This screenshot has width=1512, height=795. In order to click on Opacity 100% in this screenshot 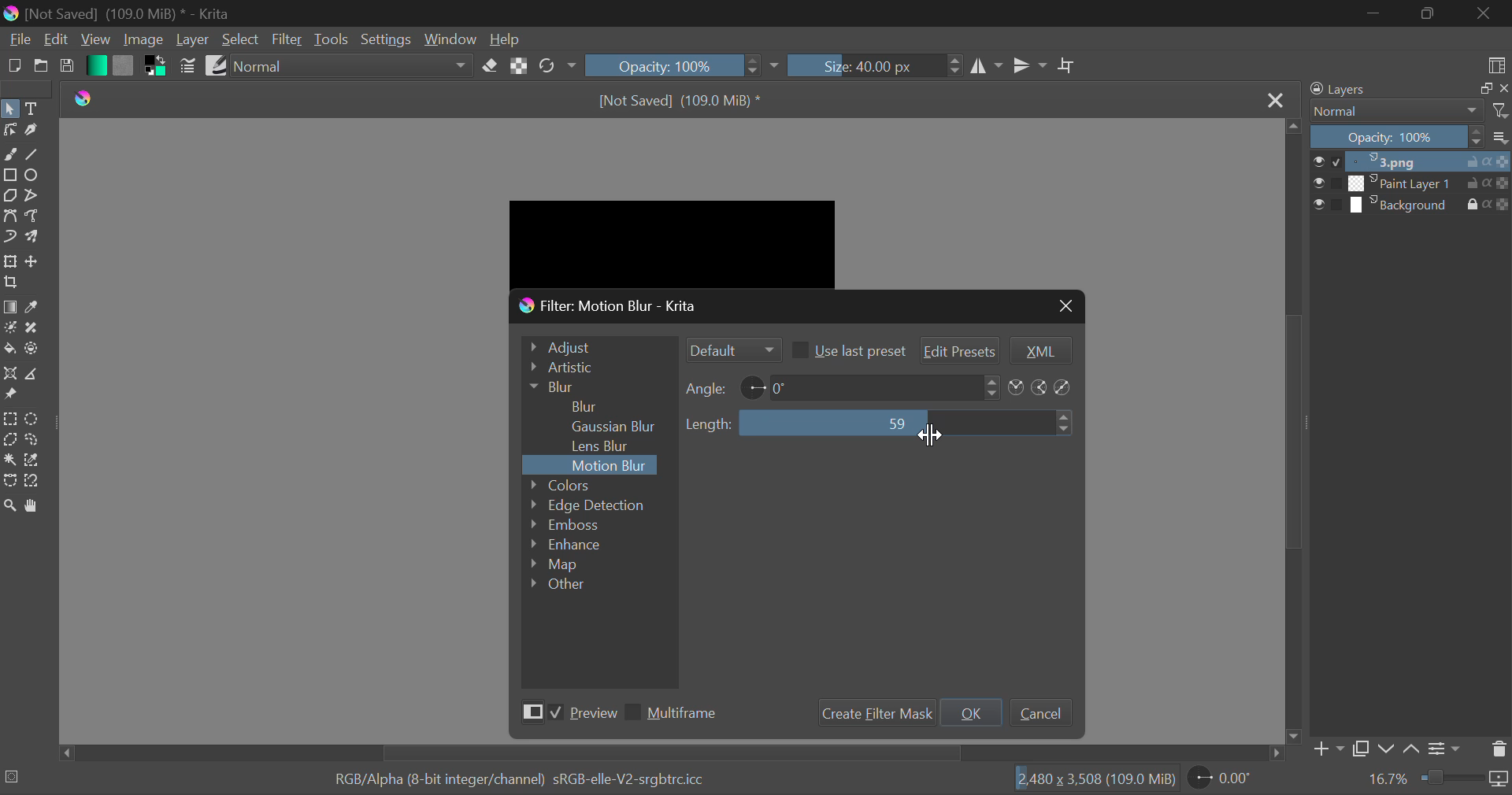, I will do `click(1412, 138)`.